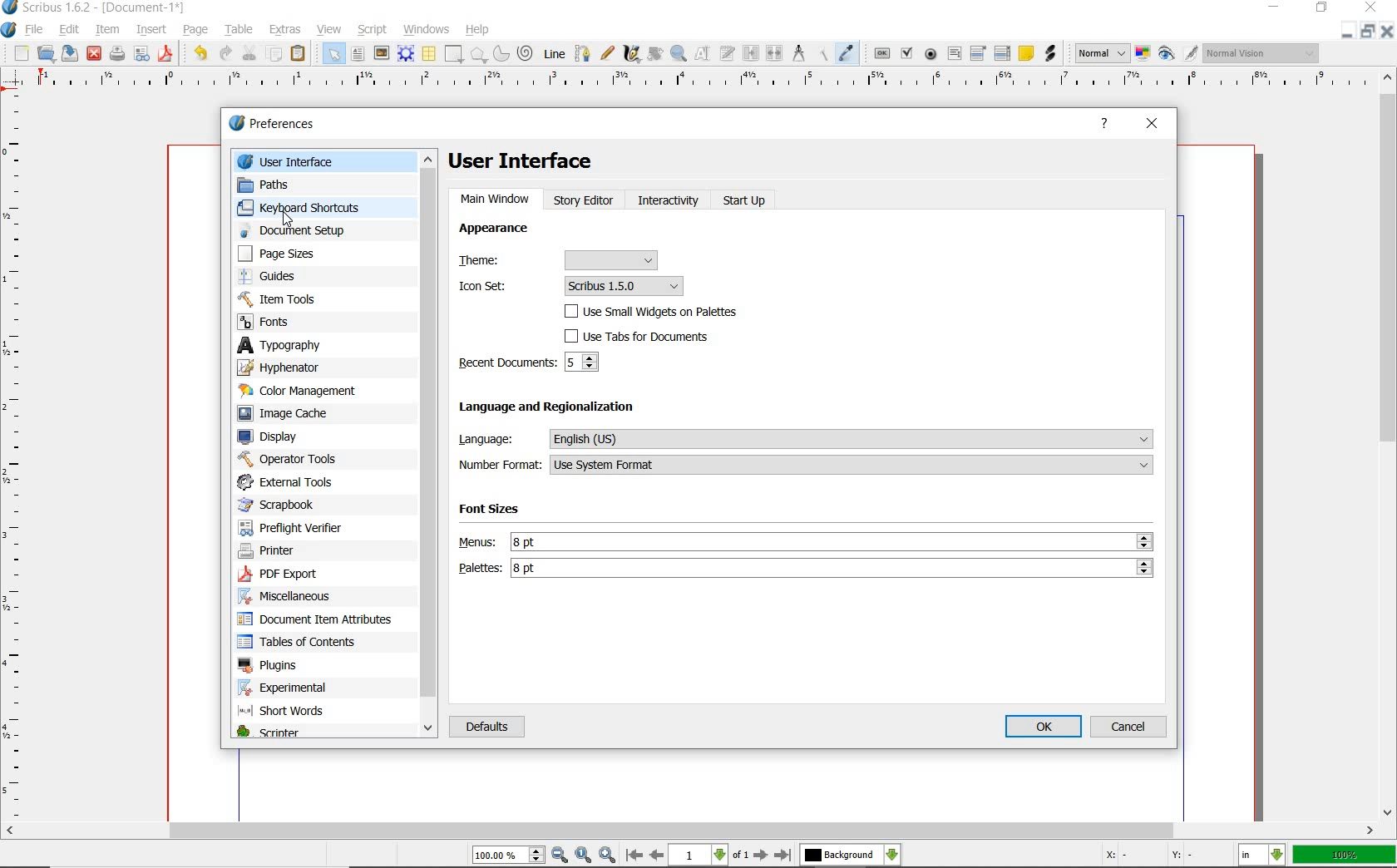 This screenshot has height=868, width=1397. I want to click on restore, so click(1323, 7).